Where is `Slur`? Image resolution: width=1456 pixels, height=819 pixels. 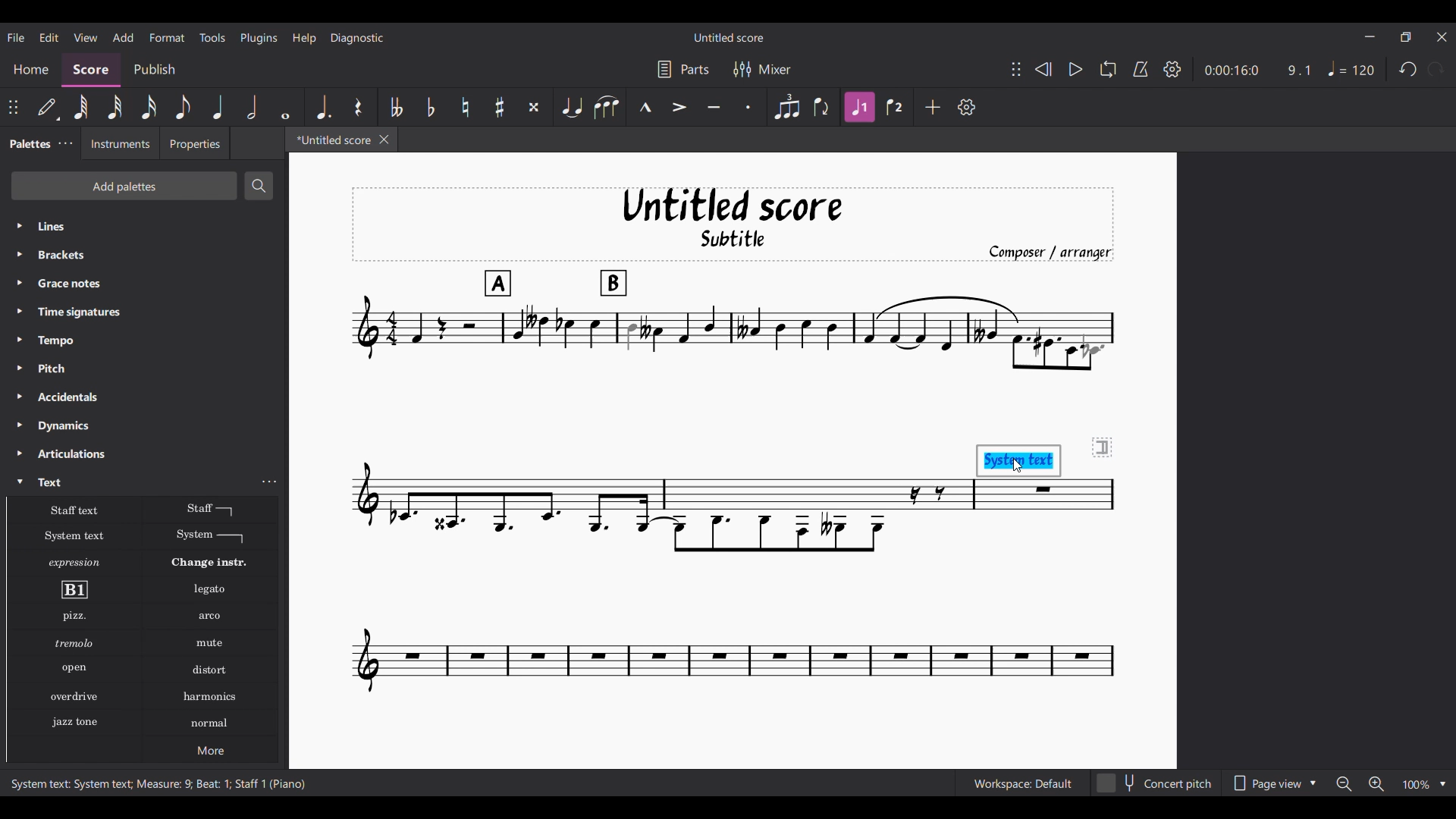
Slur is located at coordinates (607, 107).